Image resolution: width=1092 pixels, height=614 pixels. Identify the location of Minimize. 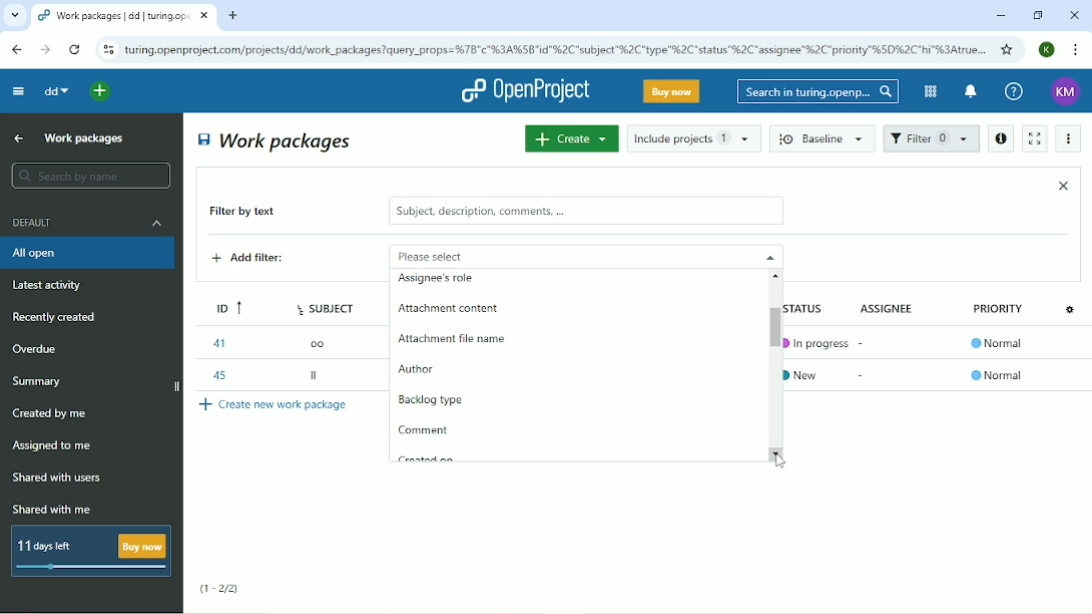
(1000, 16).